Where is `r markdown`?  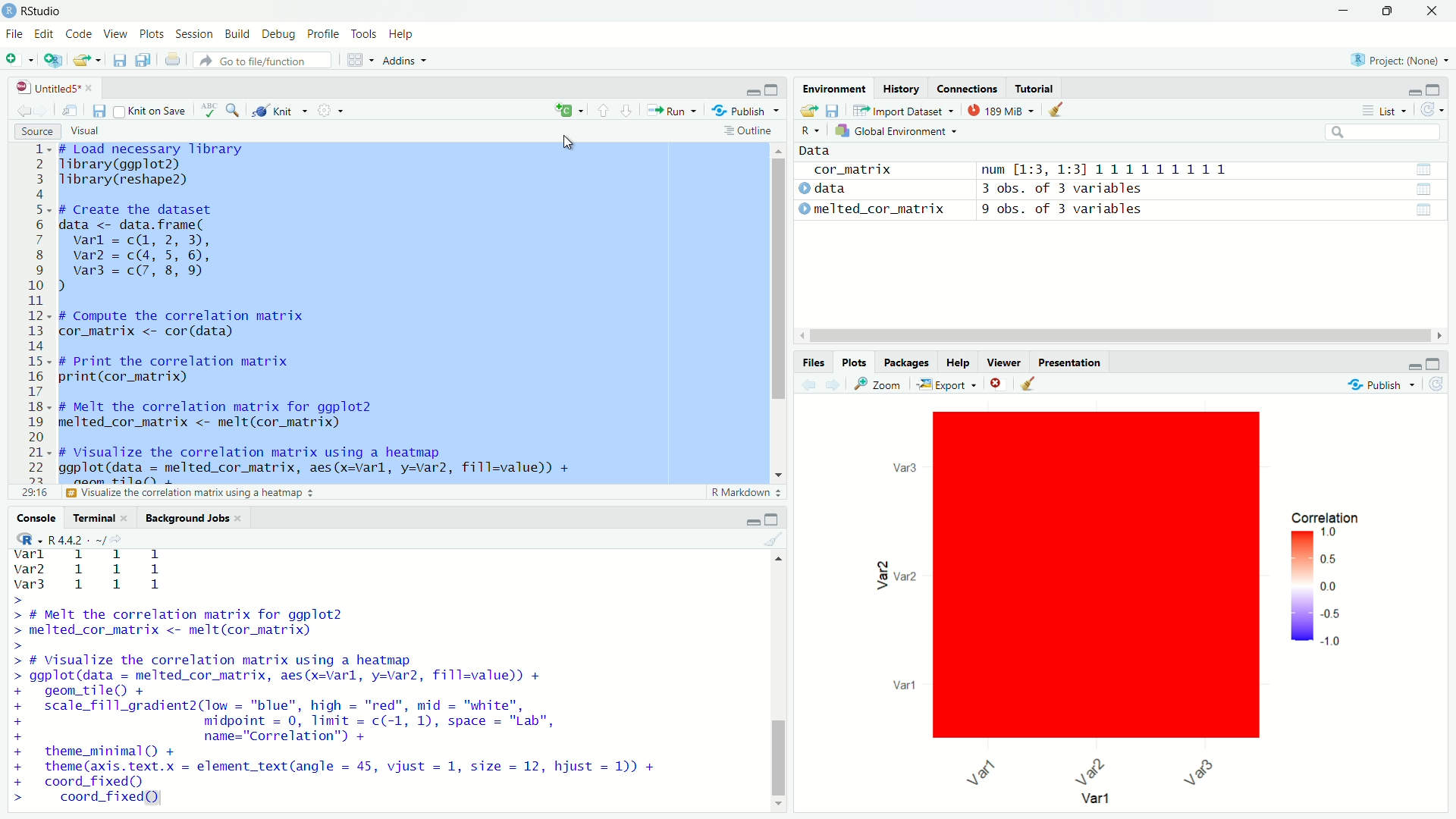 r markdown is located at coordinates (748, 493).